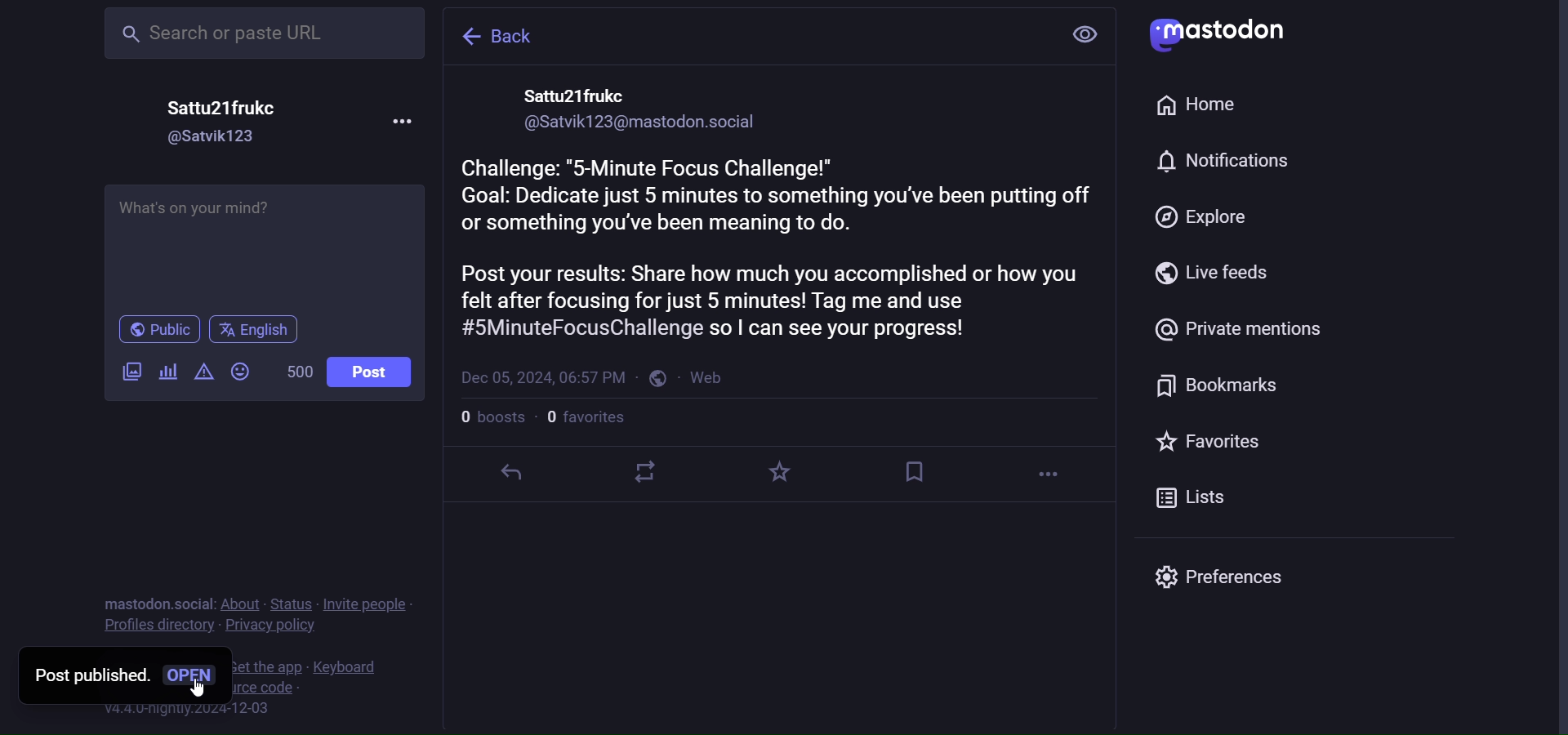 This screenshot has height=735, width=1568. What do you see at coordinates (641, 122) in the screenshot?
I see `id` at bounding box center [641, 122].